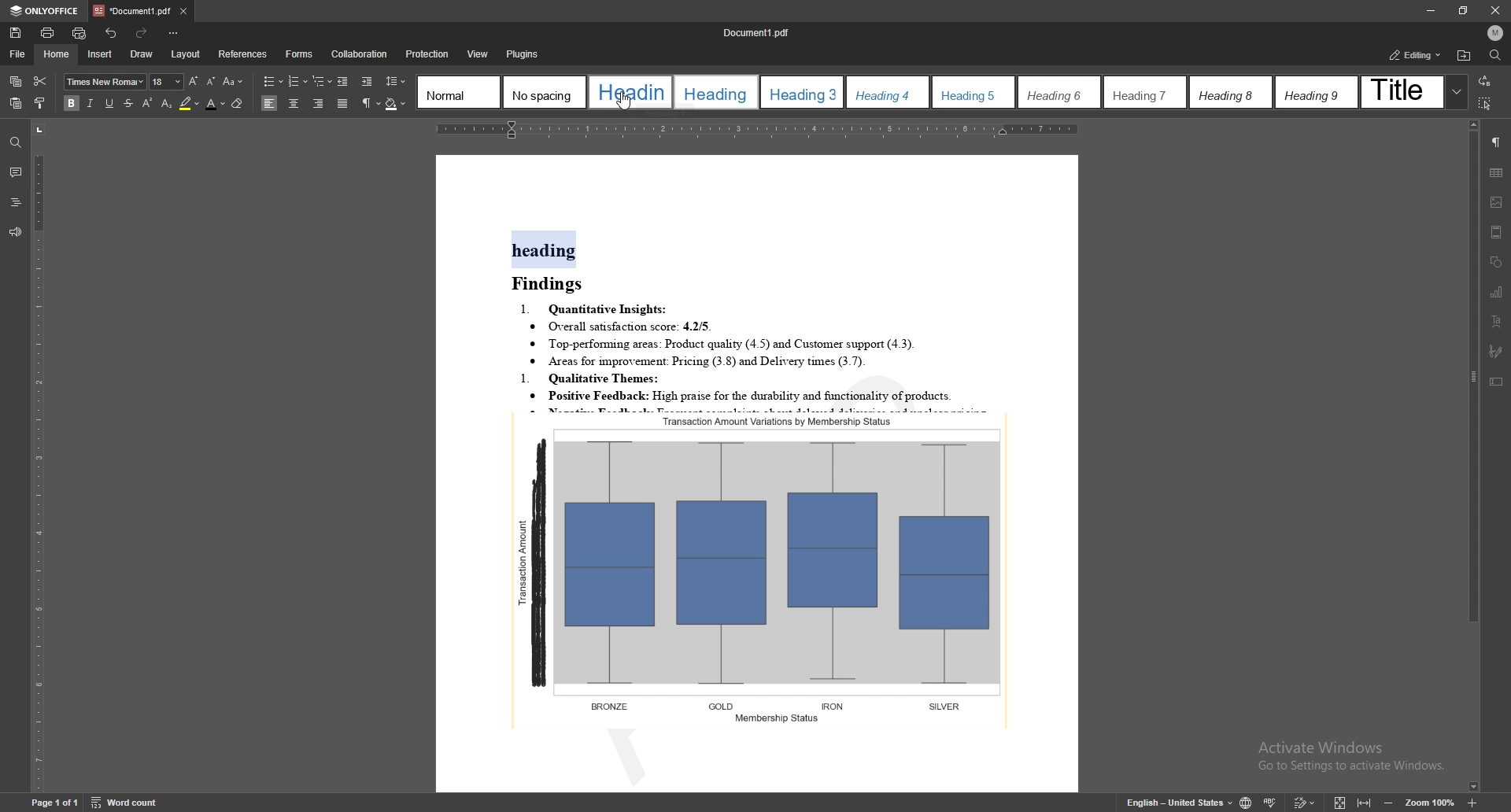 This screenshot has width=1511, height=812. Describe the element at coordinates (39, 456) in the screenshot. I see `vertical scale` at that location.